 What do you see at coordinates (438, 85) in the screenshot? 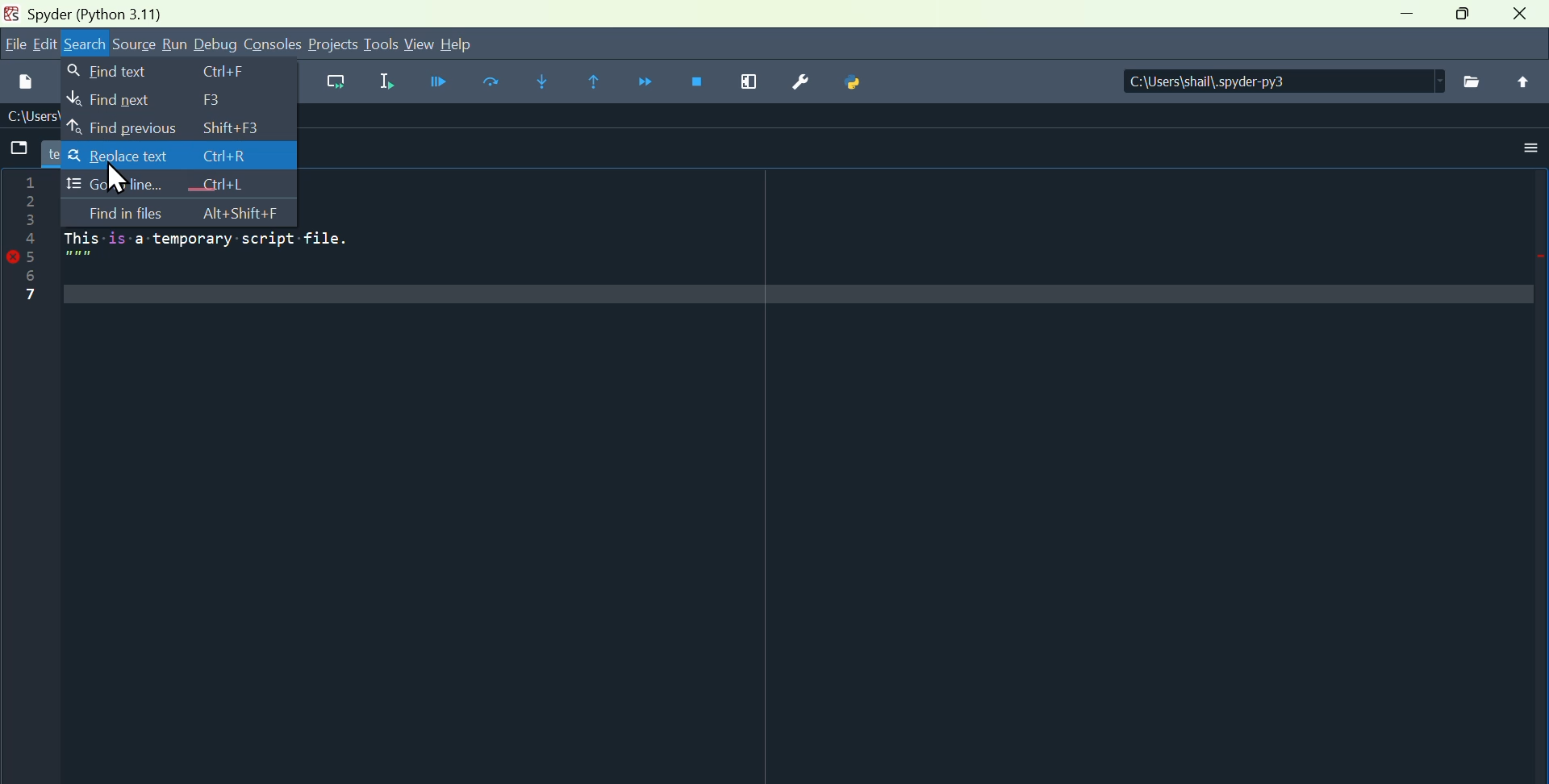
I see `Run file` at bounding box center [438, 85].